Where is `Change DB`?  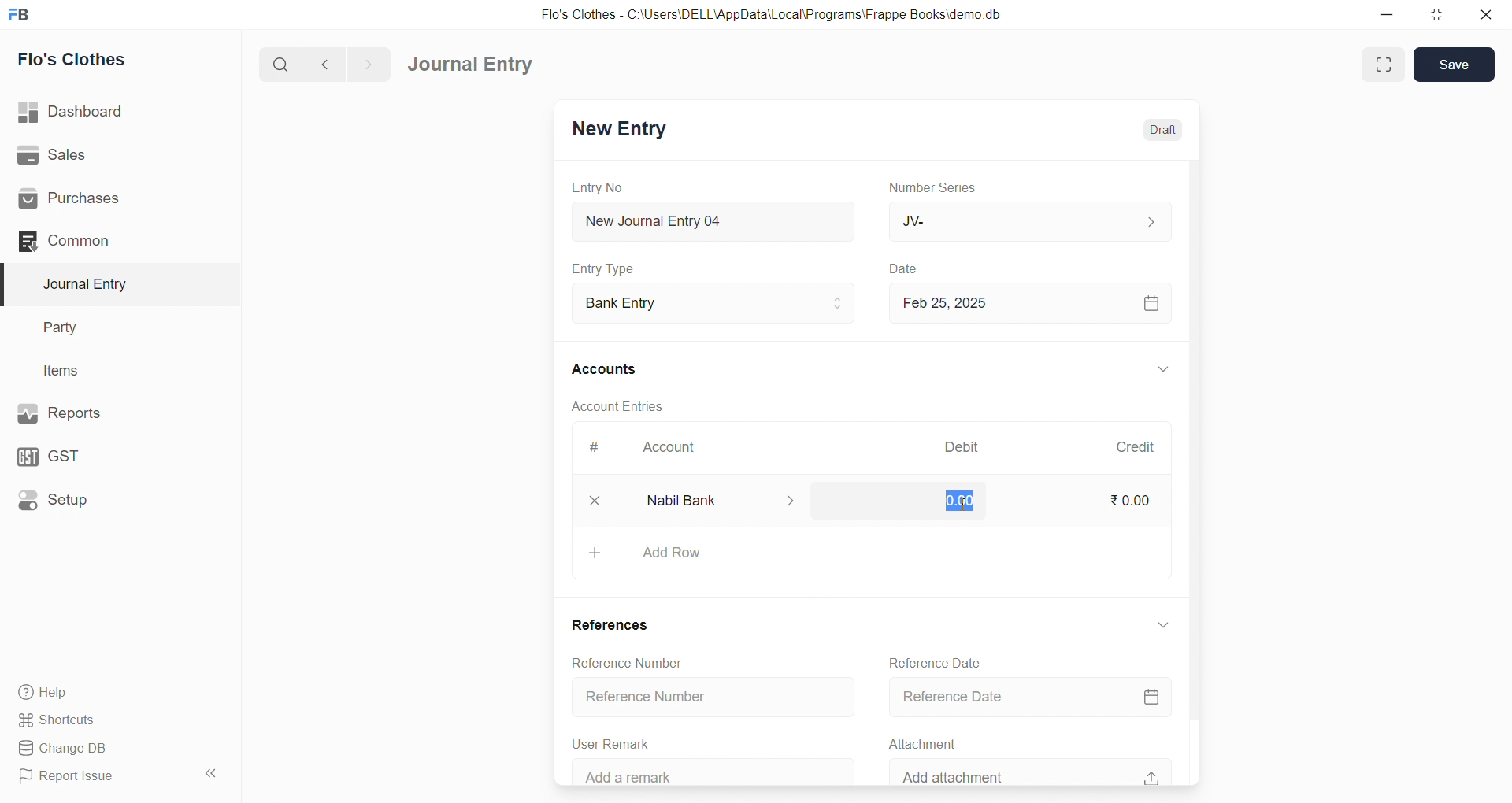
Change DB is located at coordinates (113, 749).